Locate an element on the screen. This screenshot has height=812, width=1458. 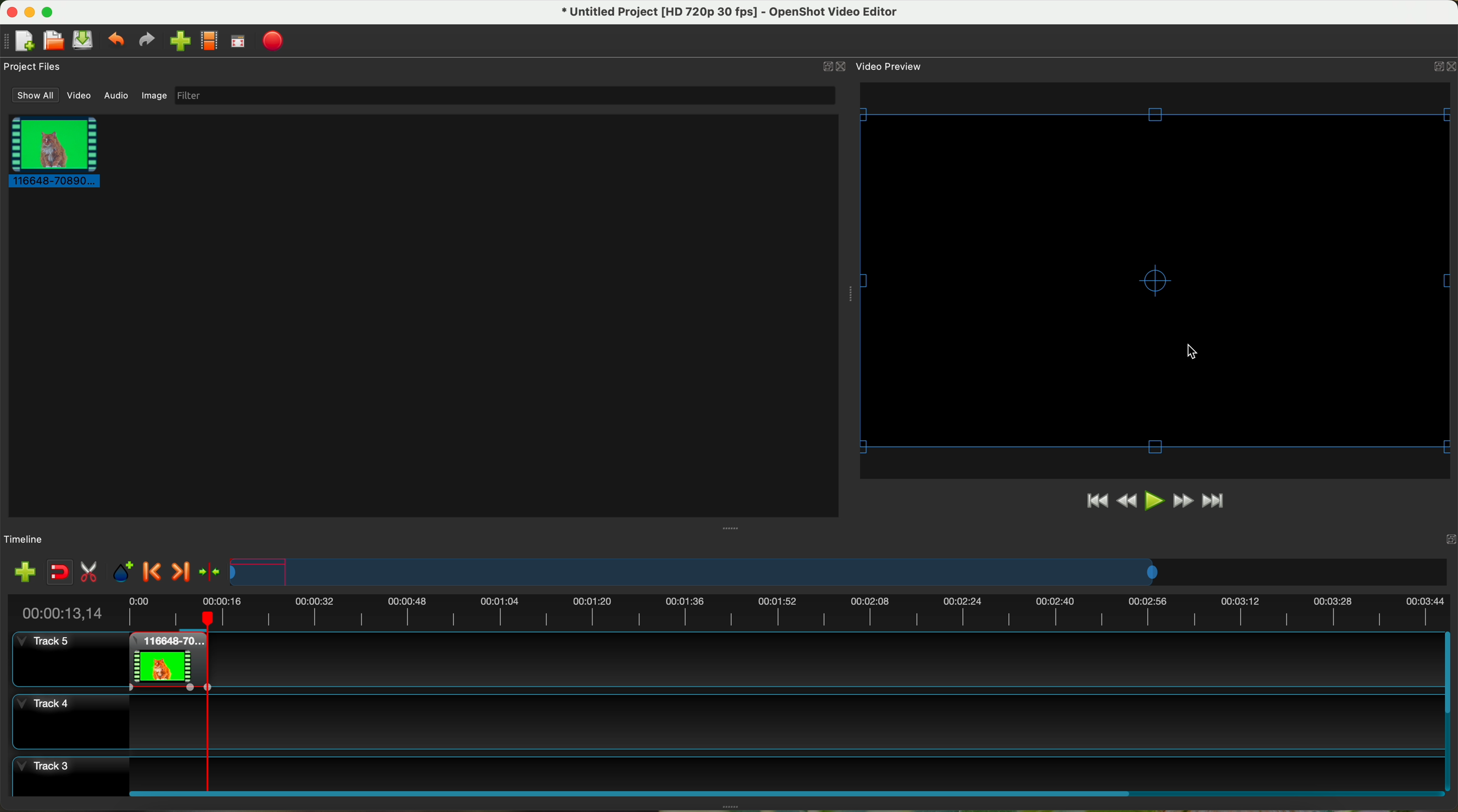
timeline is located at coordinates (840, 572).